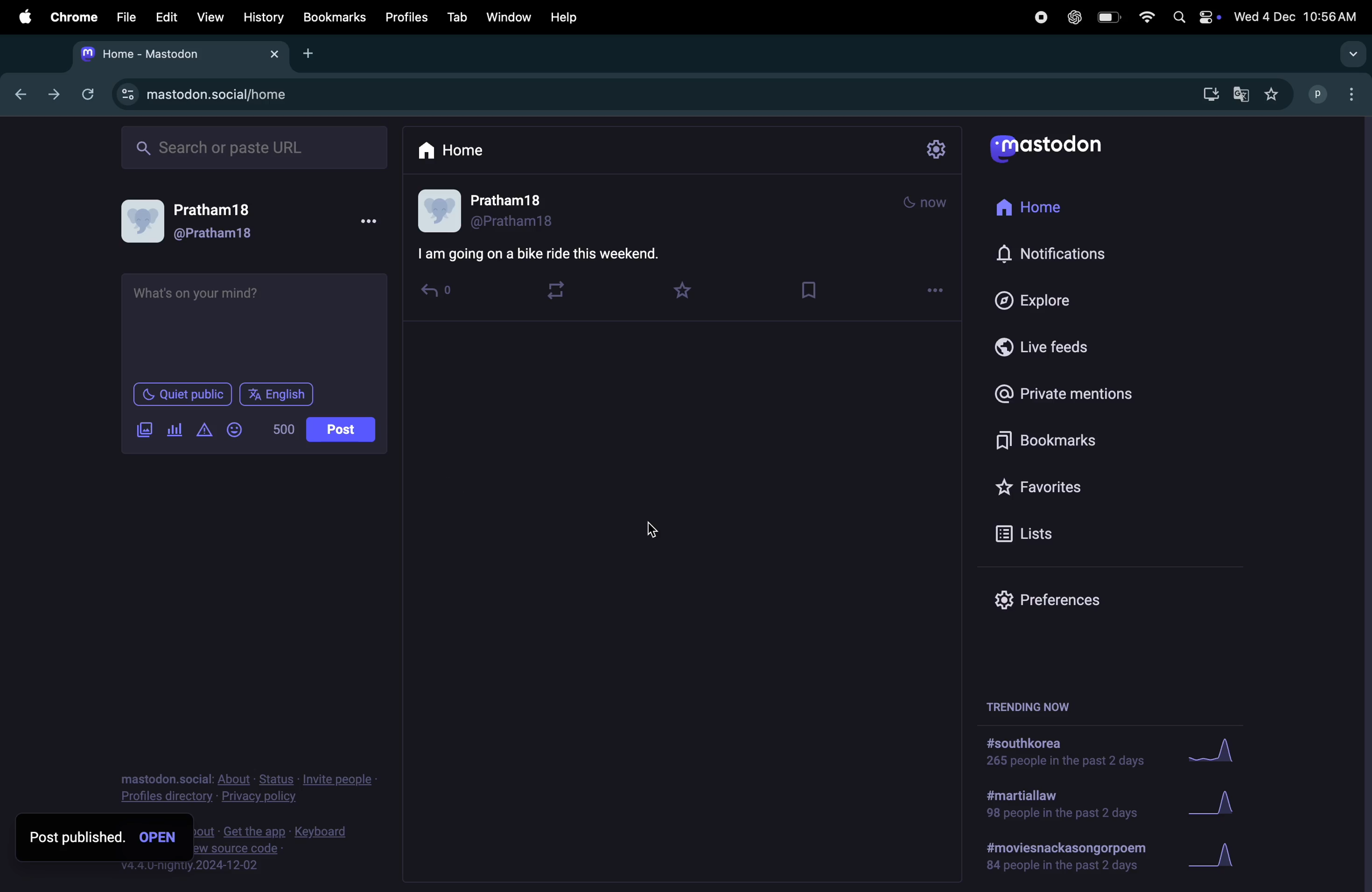 This screenshot has height=892, width=1372. I want to click on Quiet public, so click(181, 394).